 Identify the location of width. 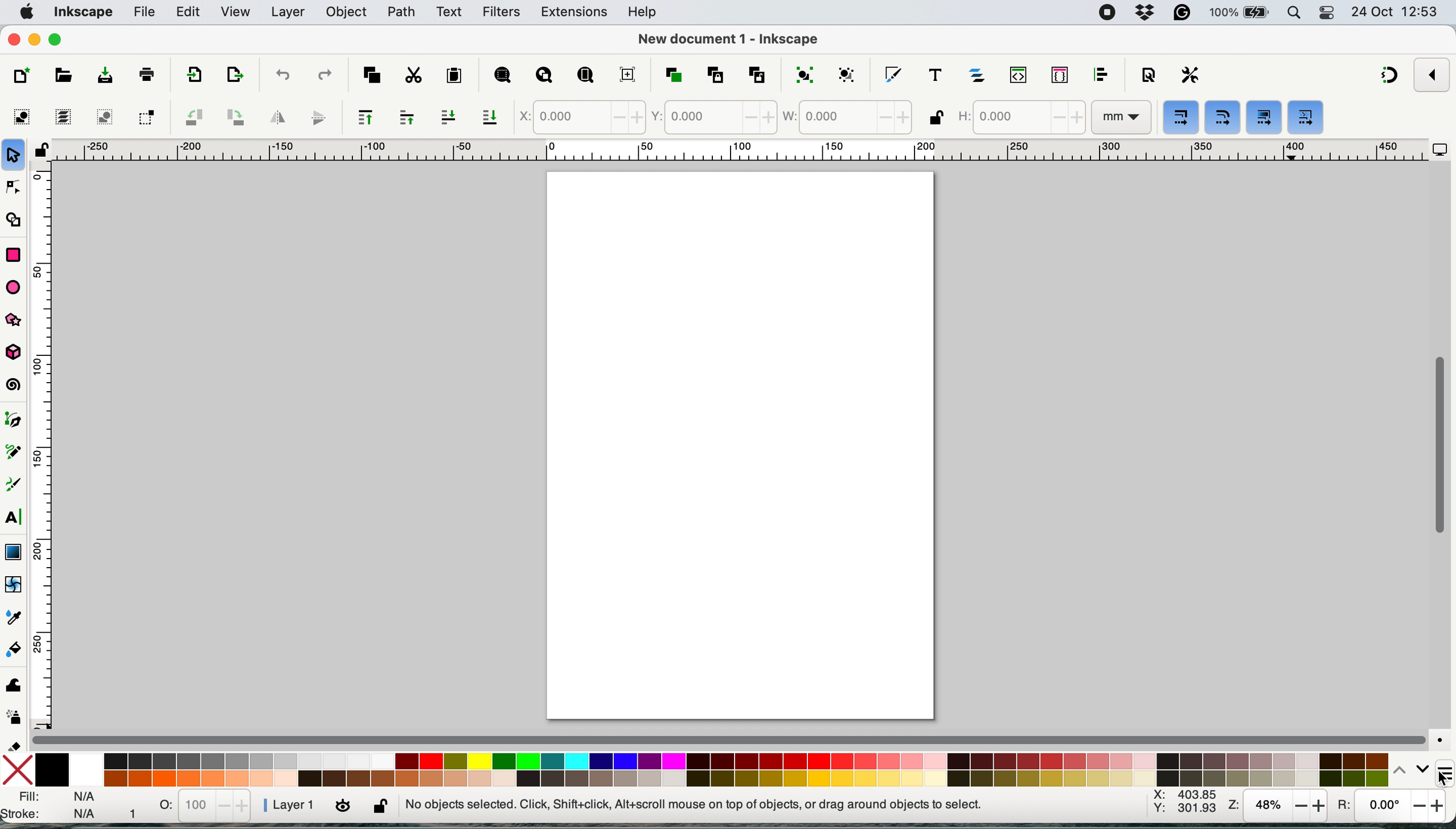
(846, 120).